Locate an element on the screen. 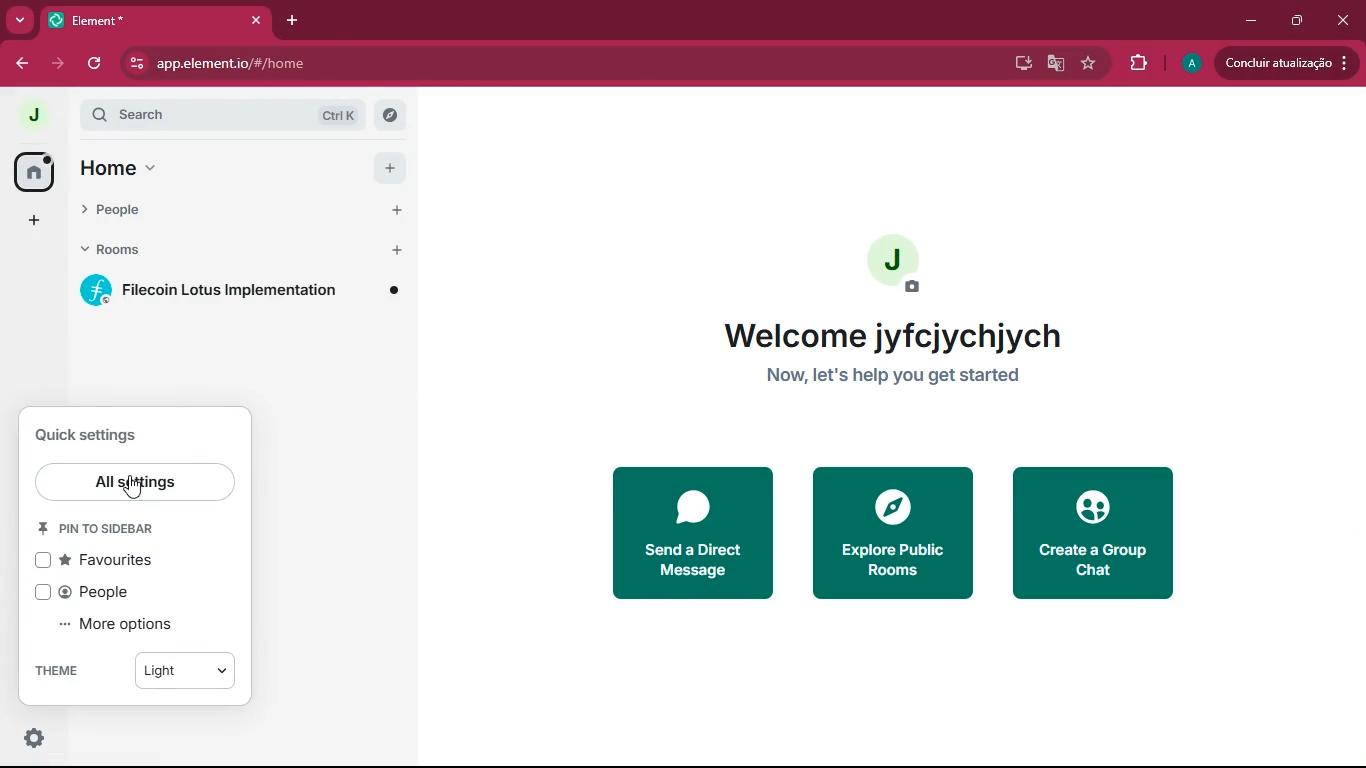  profile is located at coordinates (31, 113).